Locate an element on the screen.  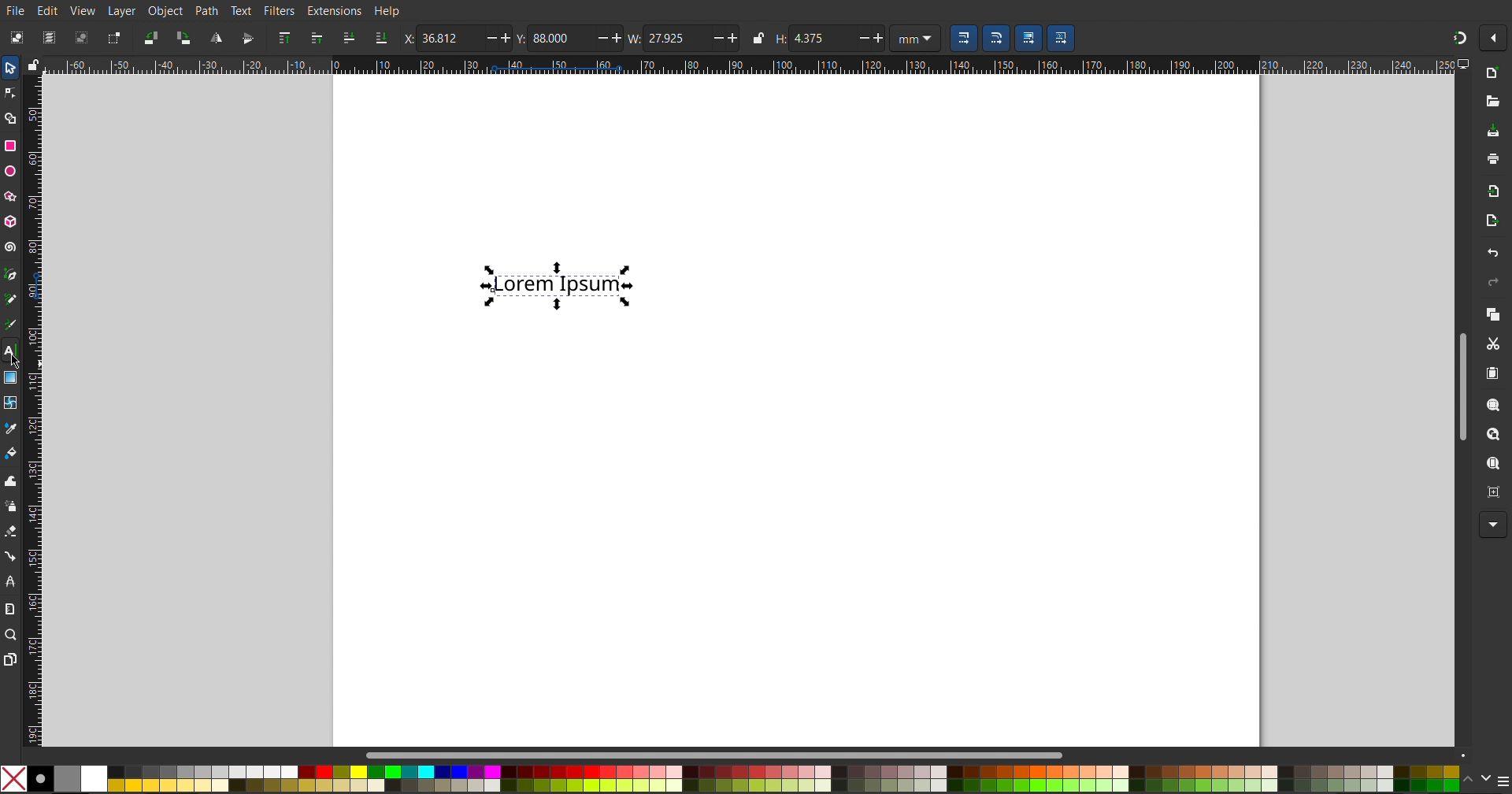
Paste is located at coordinates (1492, 373).